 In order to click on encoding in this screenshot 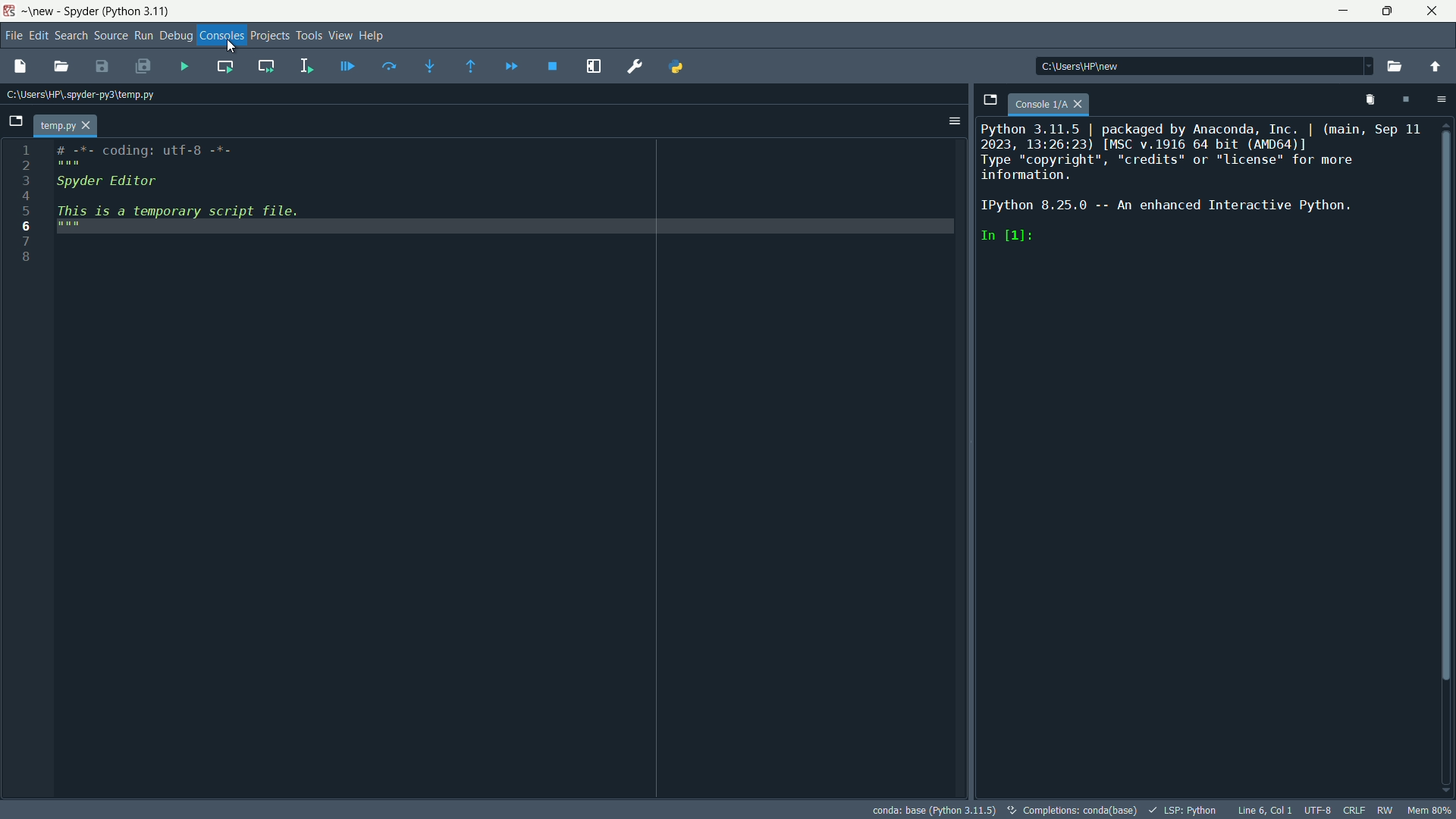, I will do `click(1319, 810)`.